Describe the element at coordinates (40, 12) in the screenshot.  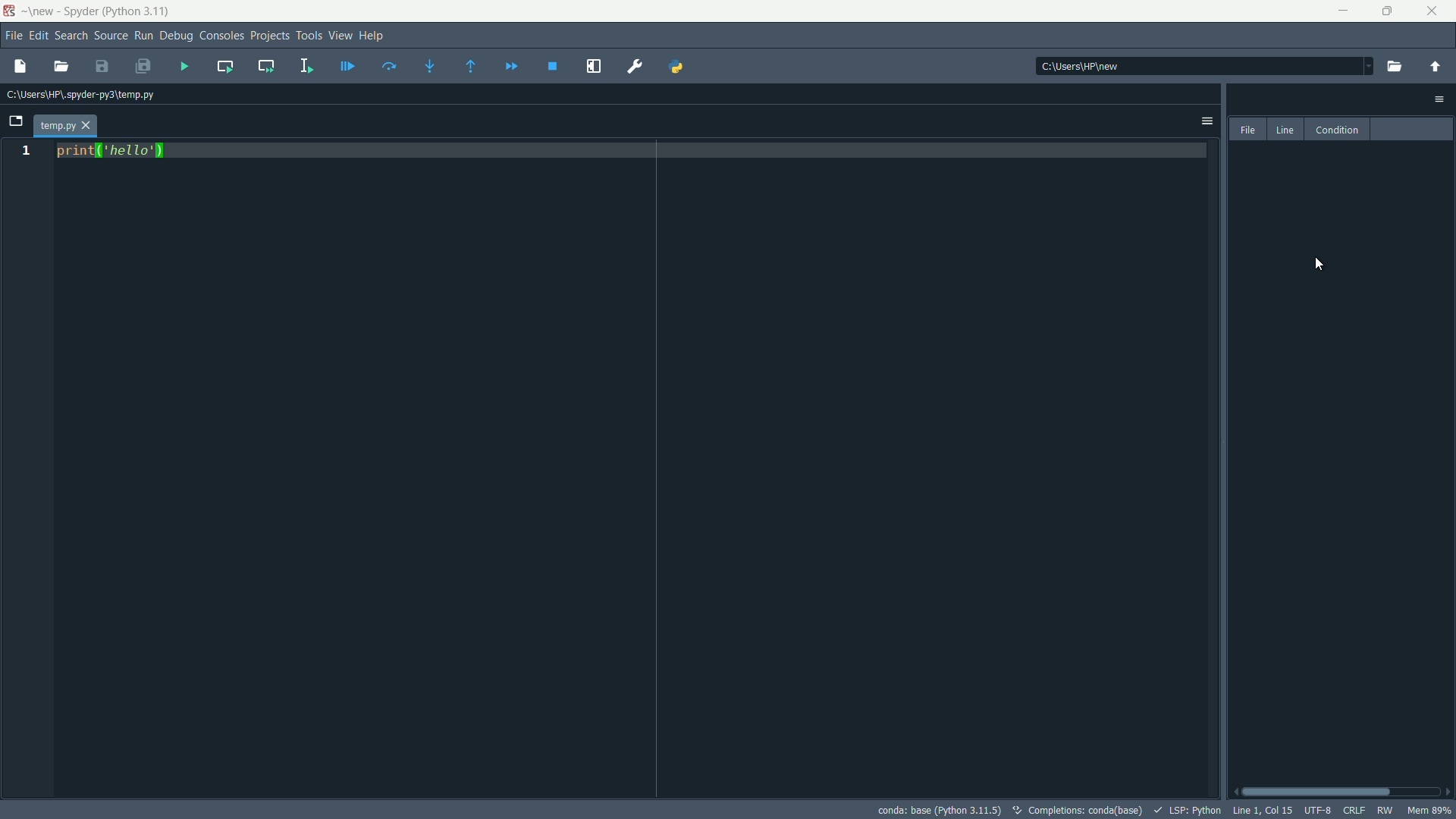
I see `new` at that location.